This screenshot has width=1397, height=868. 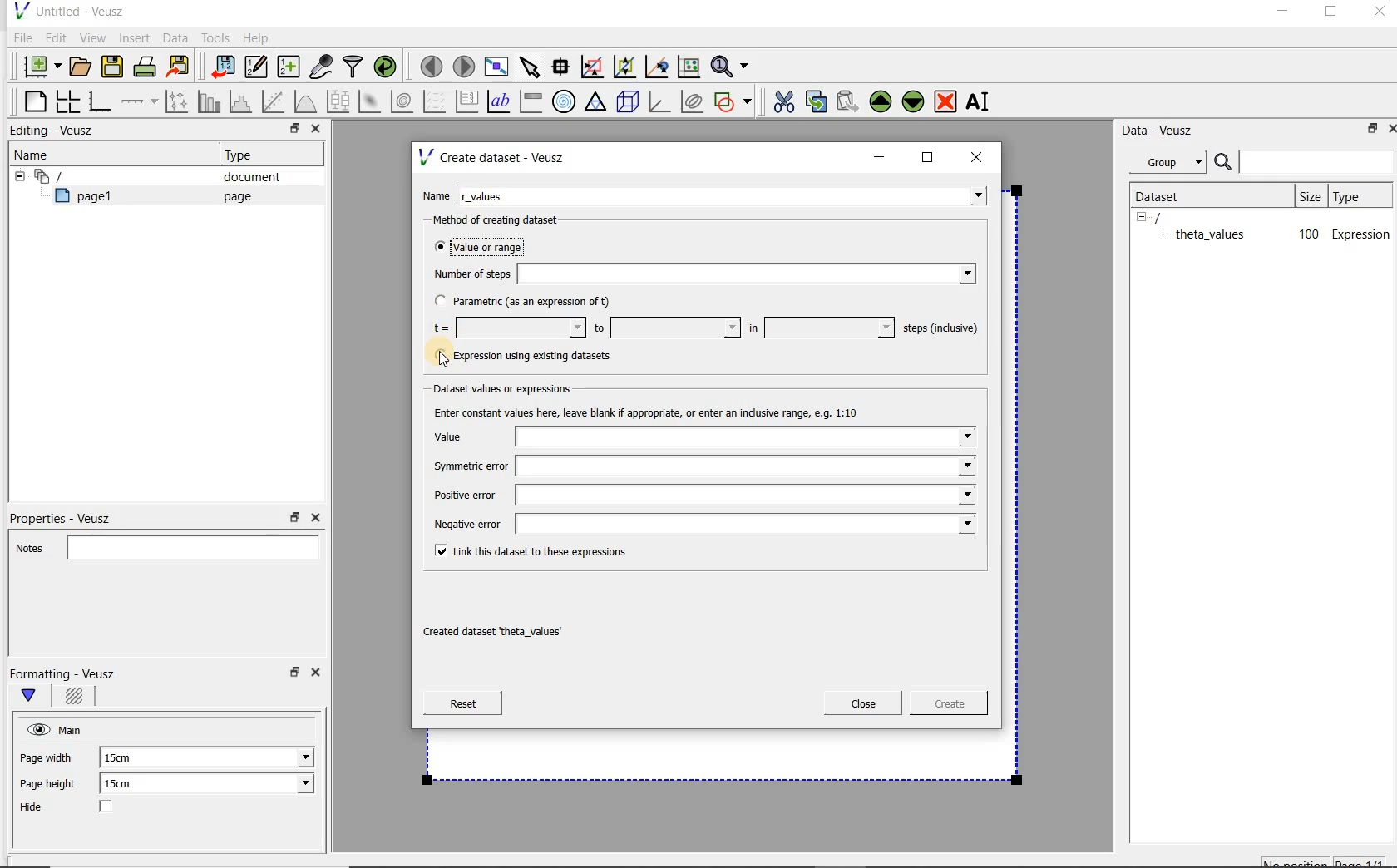 I want to click on Page height, so click(x=53, y=786).